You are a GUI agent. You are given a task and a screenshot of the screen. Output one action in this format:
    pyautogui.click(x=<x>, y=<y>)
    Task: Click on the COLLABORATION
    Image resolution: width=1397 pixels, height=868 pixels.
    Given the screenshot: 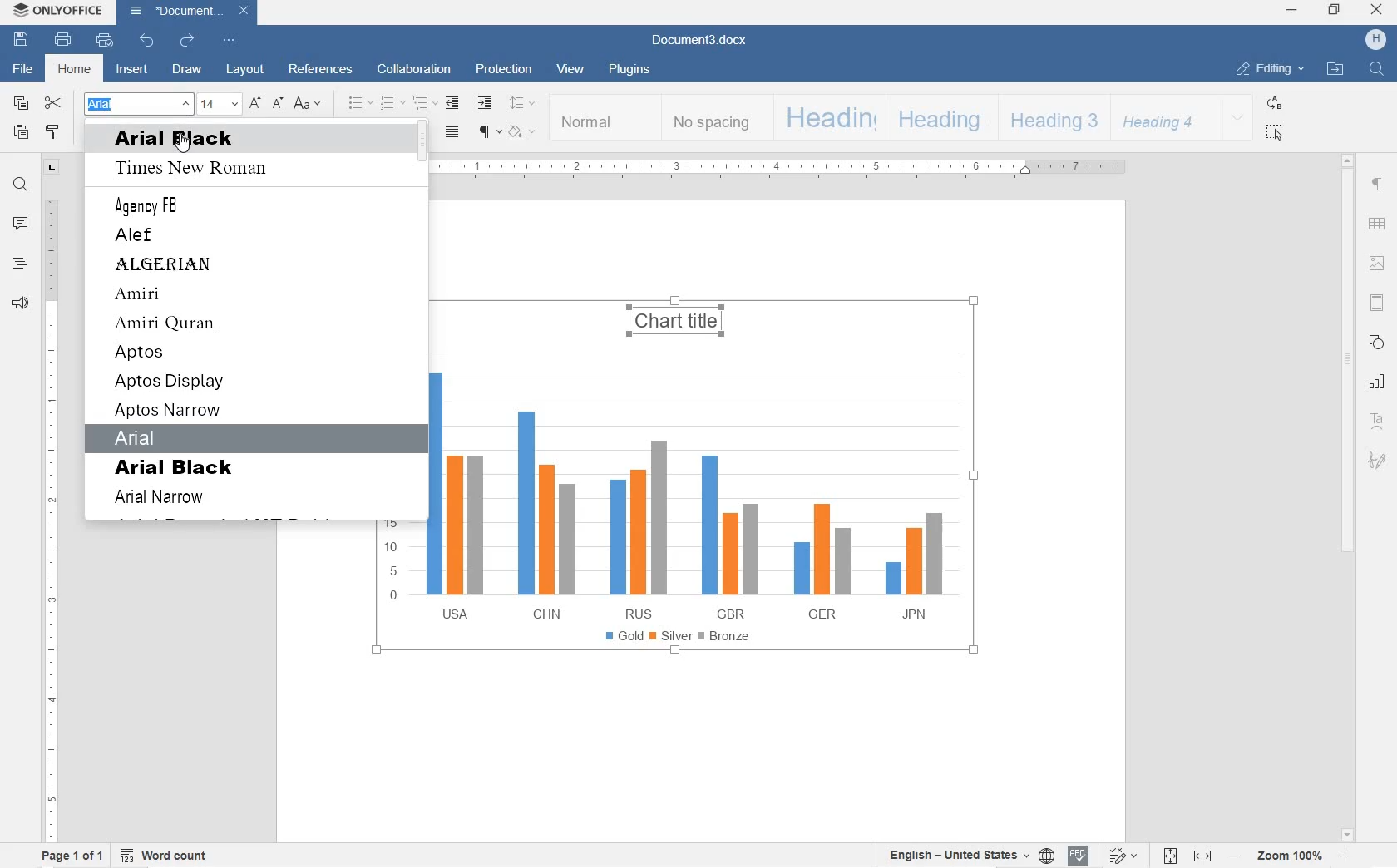 What is the action you would take?
    pyautogui.click(x=412, y=70)
    